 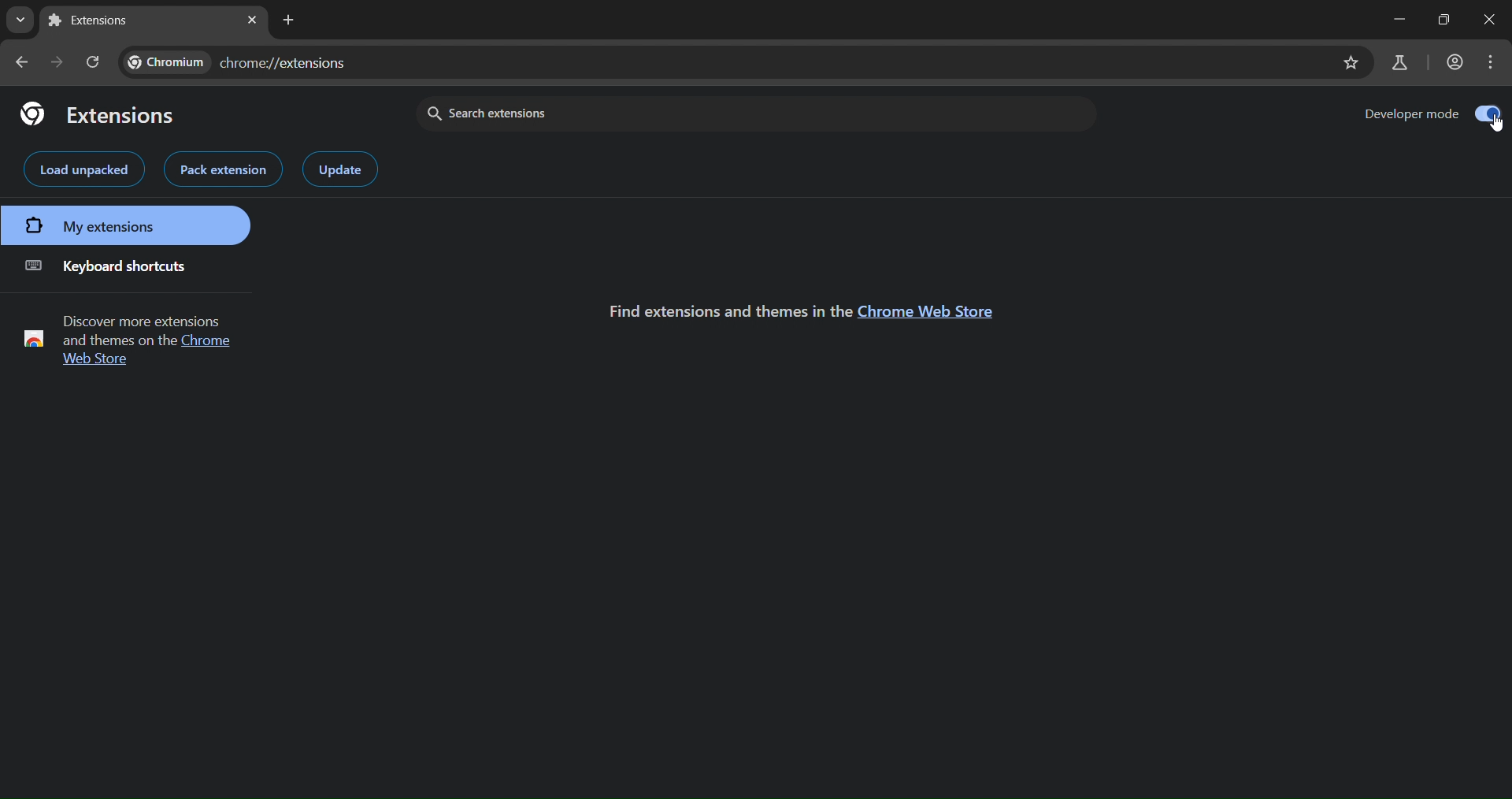 I want to click on update, so click(x=340, y=169).